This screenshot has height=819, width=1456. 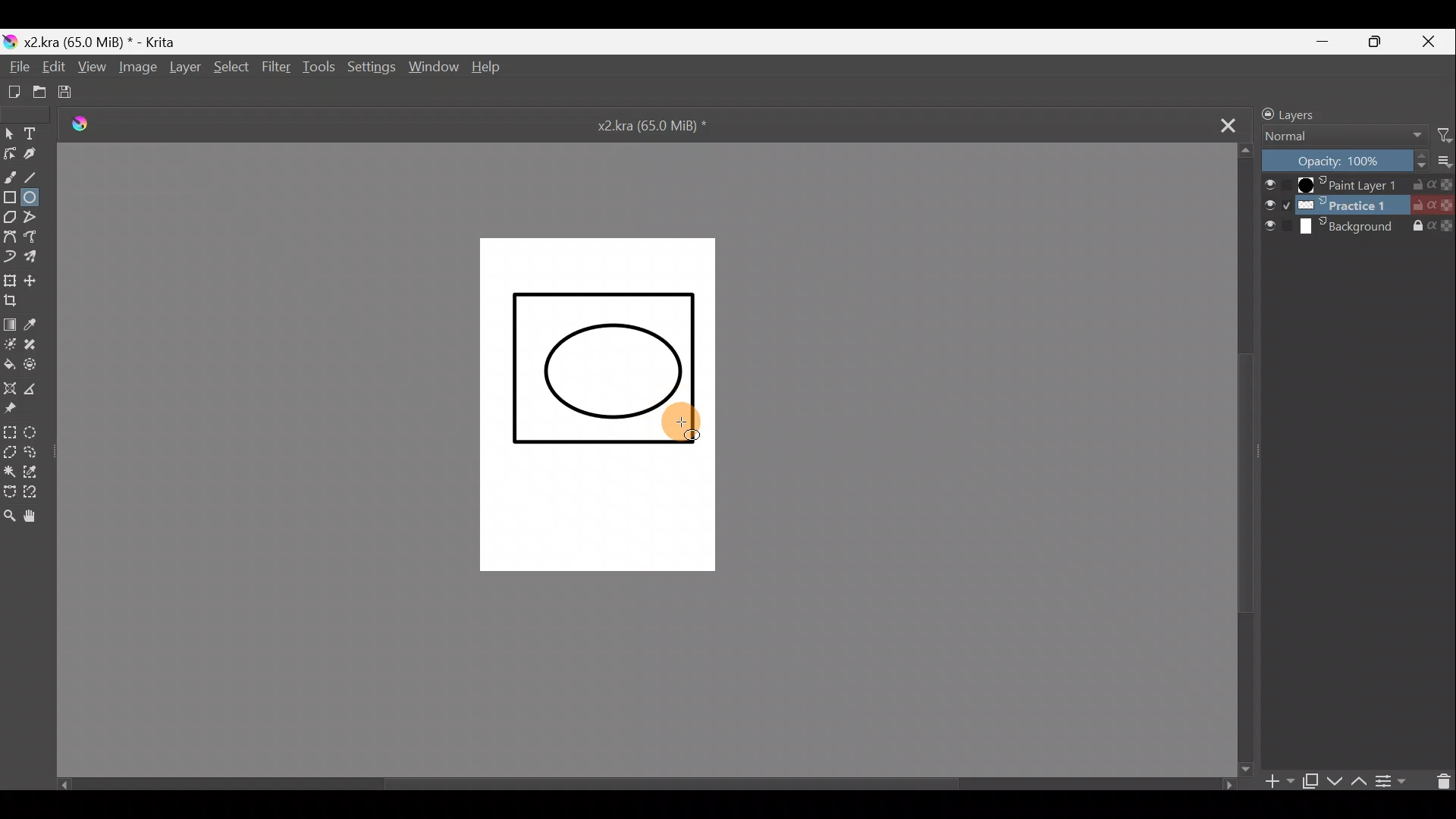 I want to click on Close tab, so click(x=1225, y=124).